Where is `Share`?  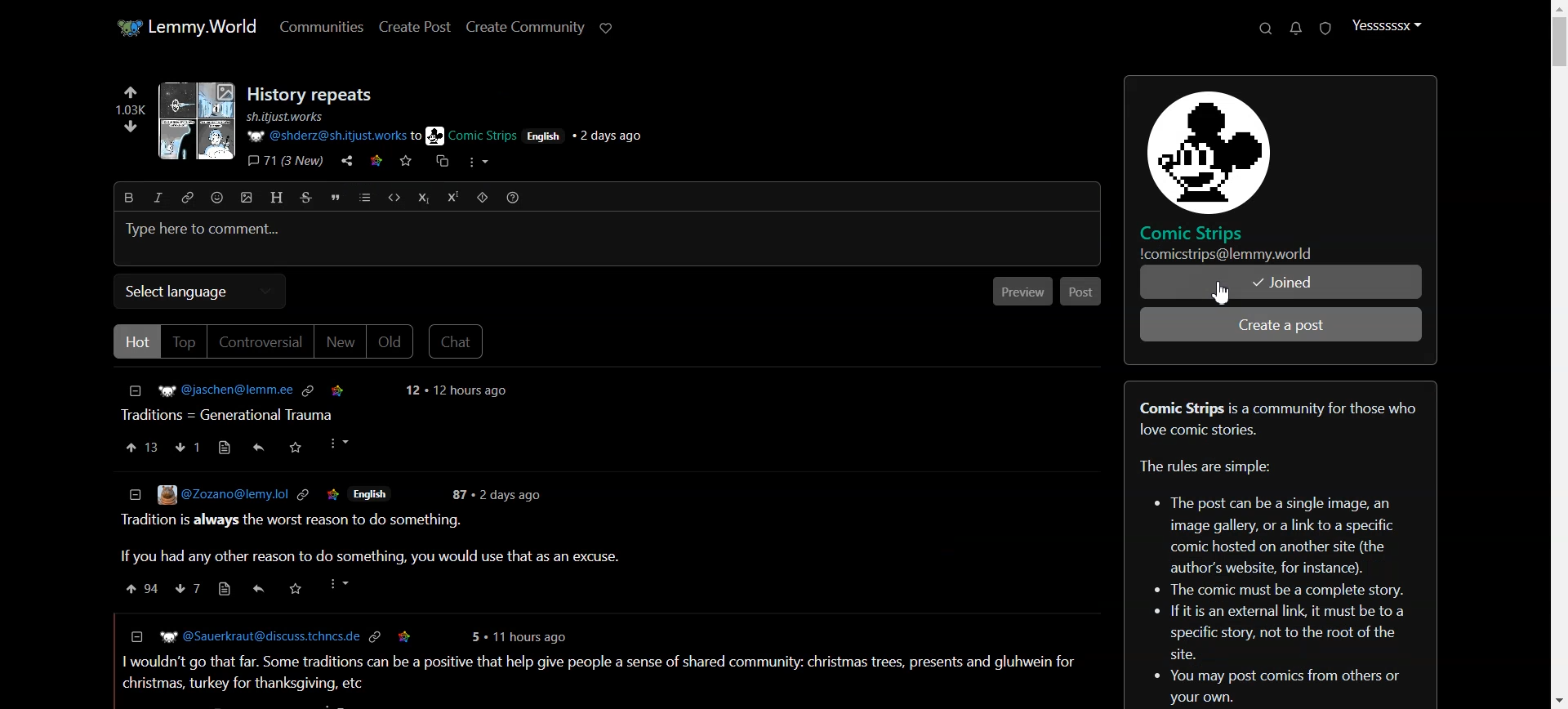 Share is located at coordinates (258, 445).